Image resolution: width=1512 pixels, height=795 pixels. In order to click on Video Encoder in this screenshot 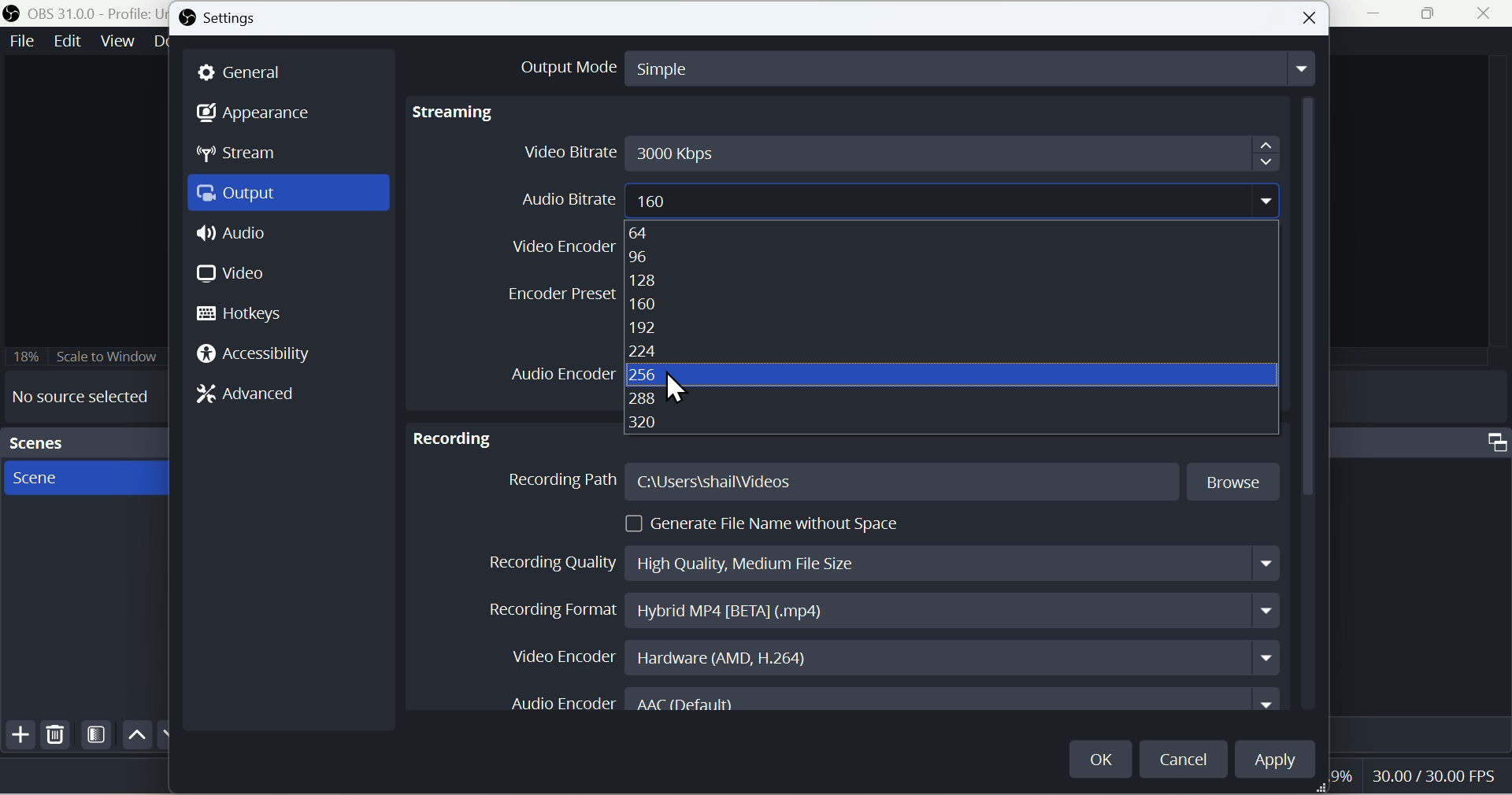, I will do `click(886, 656)`.